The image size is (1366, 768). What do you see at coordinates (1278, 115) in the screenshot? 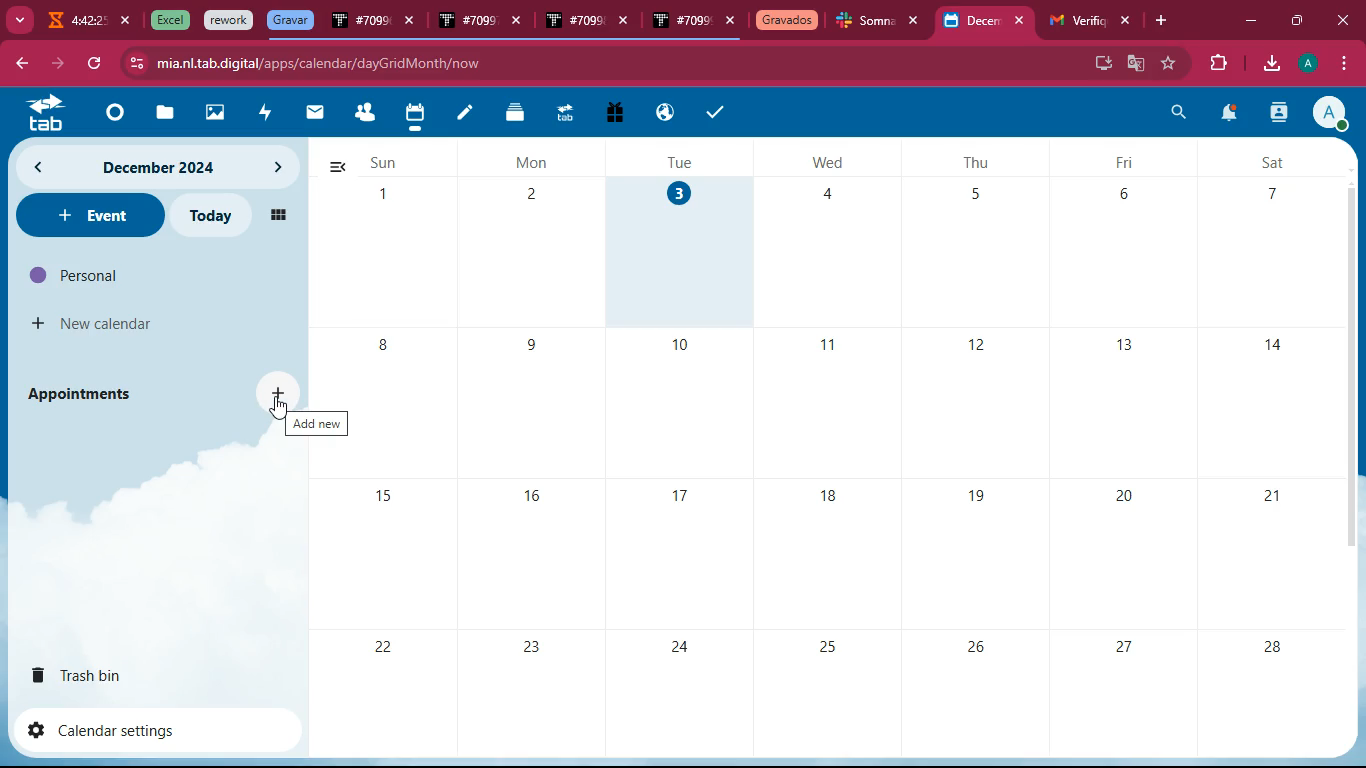
I see `user` at bounding box center [1278, 115].